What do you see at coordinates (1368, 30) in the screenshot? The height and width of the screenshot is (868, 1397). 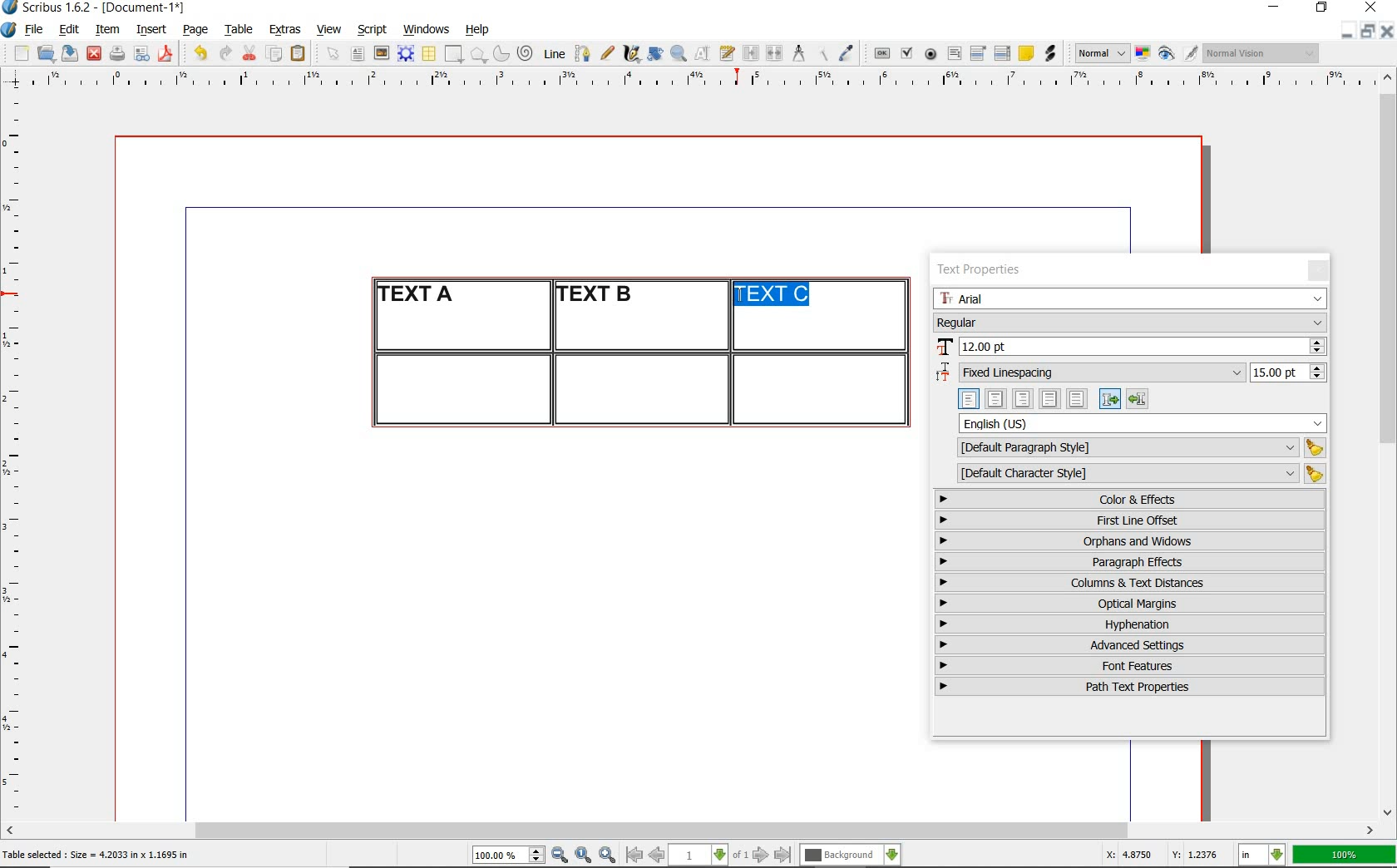 I see `restore` at bounding box center [1368, 30].